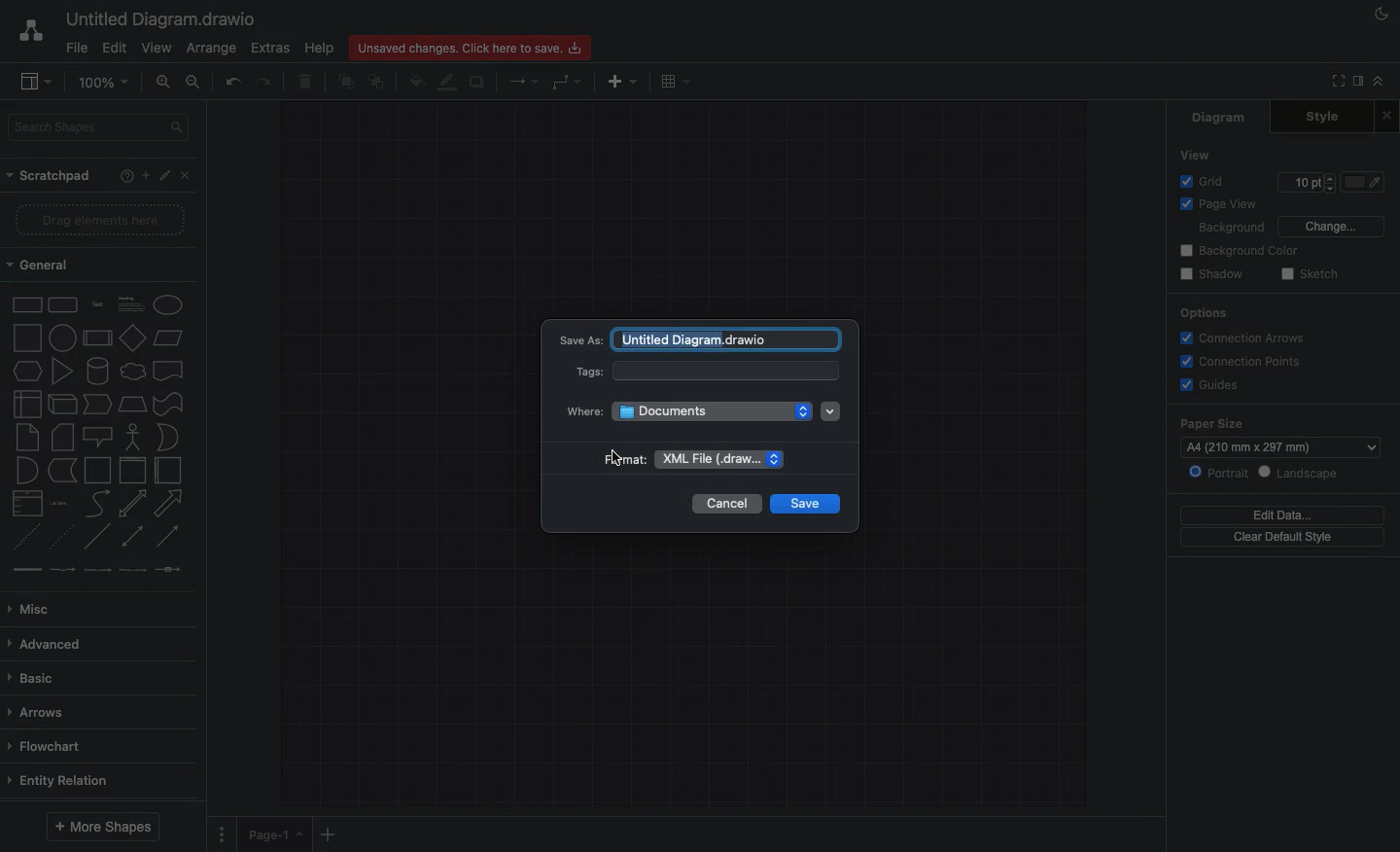 The width and height of the screenshot is (1400, 852). Describe the element at coordinates (1209, 275) in the screenshot. I see `Shadow` at that location.